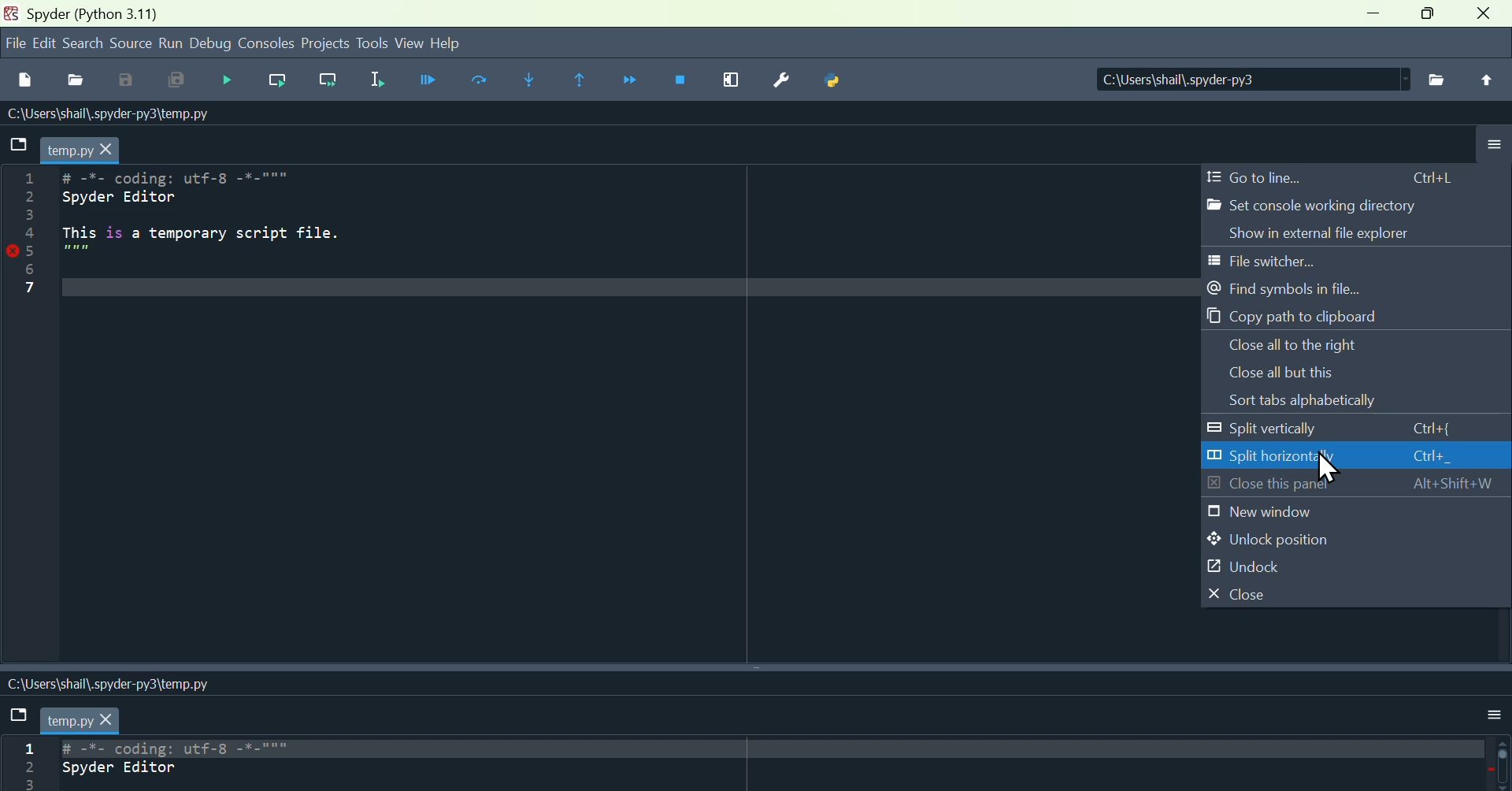 Image resolution: width=1512 pixels, height=791 pixels. What do you see at coordinates (1298, 373) in the screenshot?
I see `Close all but this` at bounding box center [1298, 373].